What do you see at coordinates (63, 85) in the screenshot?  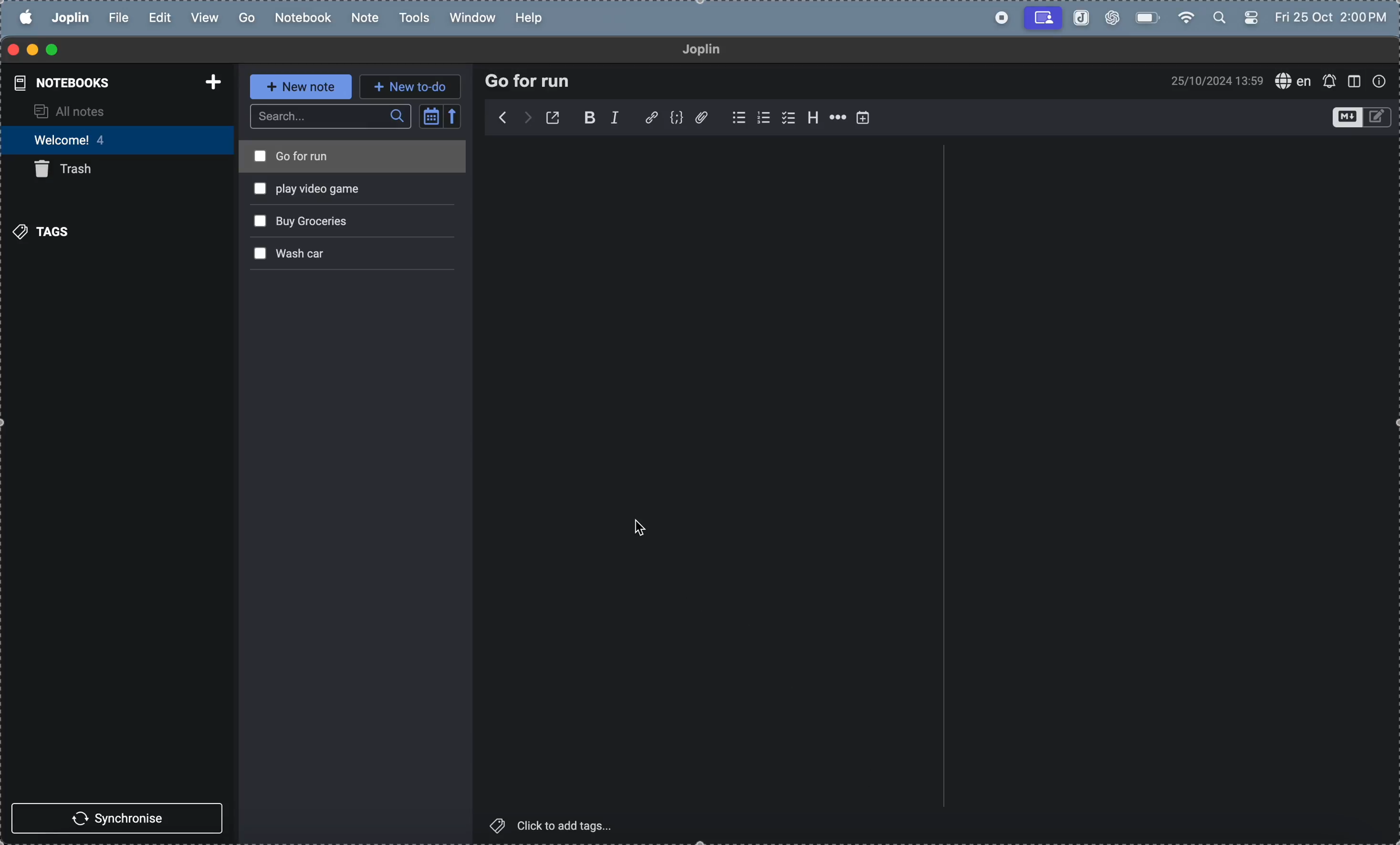 I see `notebooks` at bounding box center [63, 85].